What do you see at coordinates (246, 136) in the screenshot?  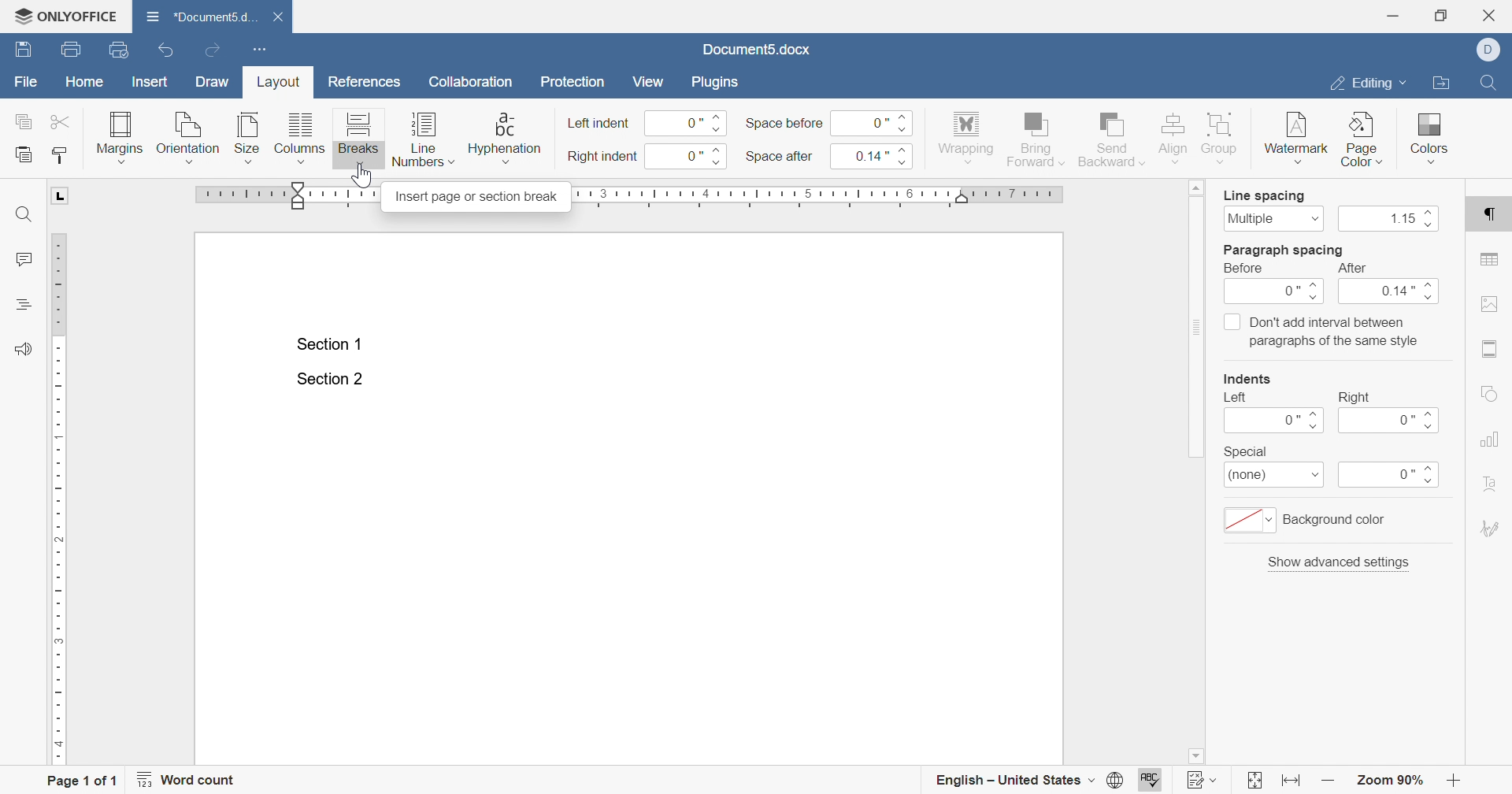 I see `size` at bounding box center [246, 136].